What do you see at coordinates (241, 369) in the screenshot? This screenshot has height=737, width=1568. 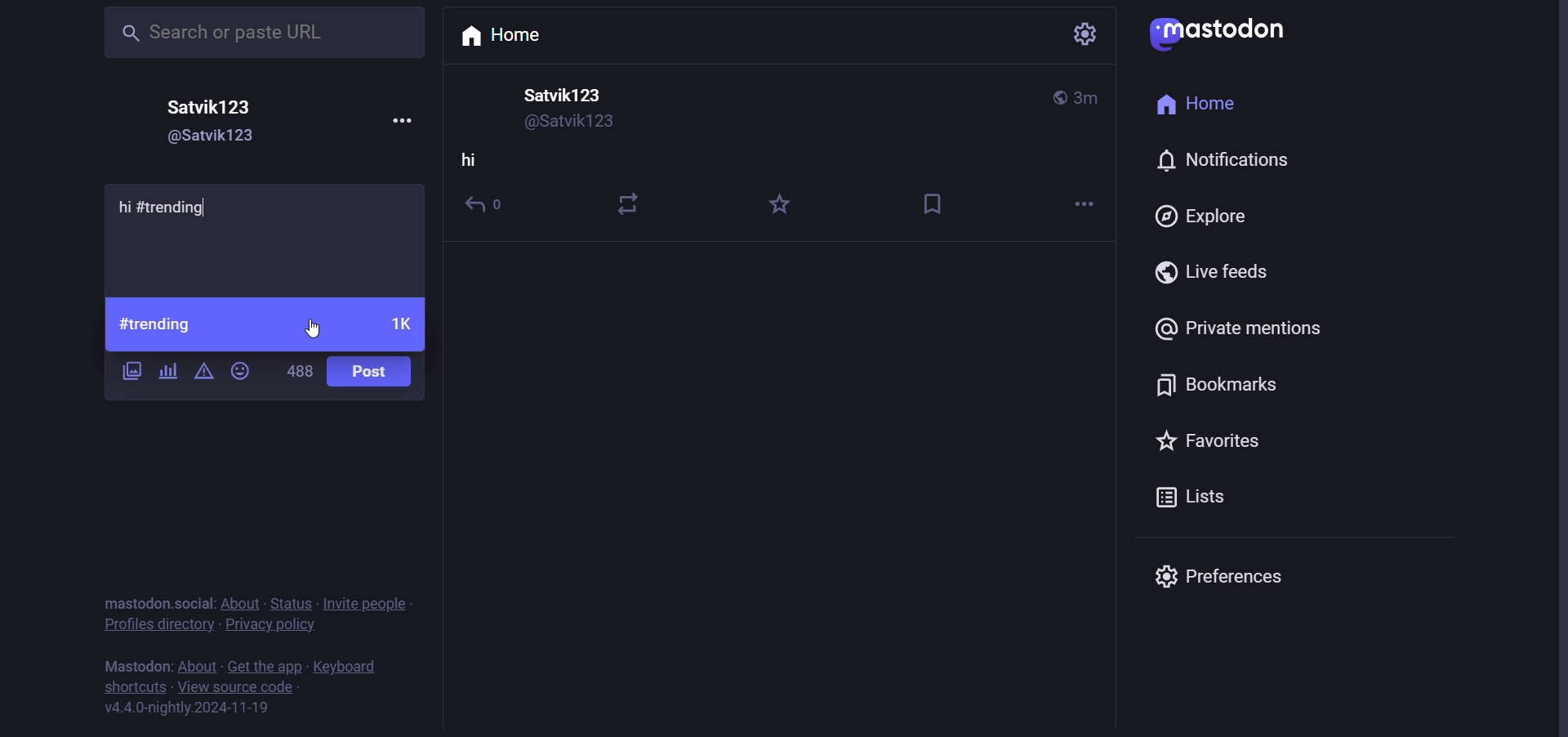 I see `emoji` at bounding box center [241, 369].